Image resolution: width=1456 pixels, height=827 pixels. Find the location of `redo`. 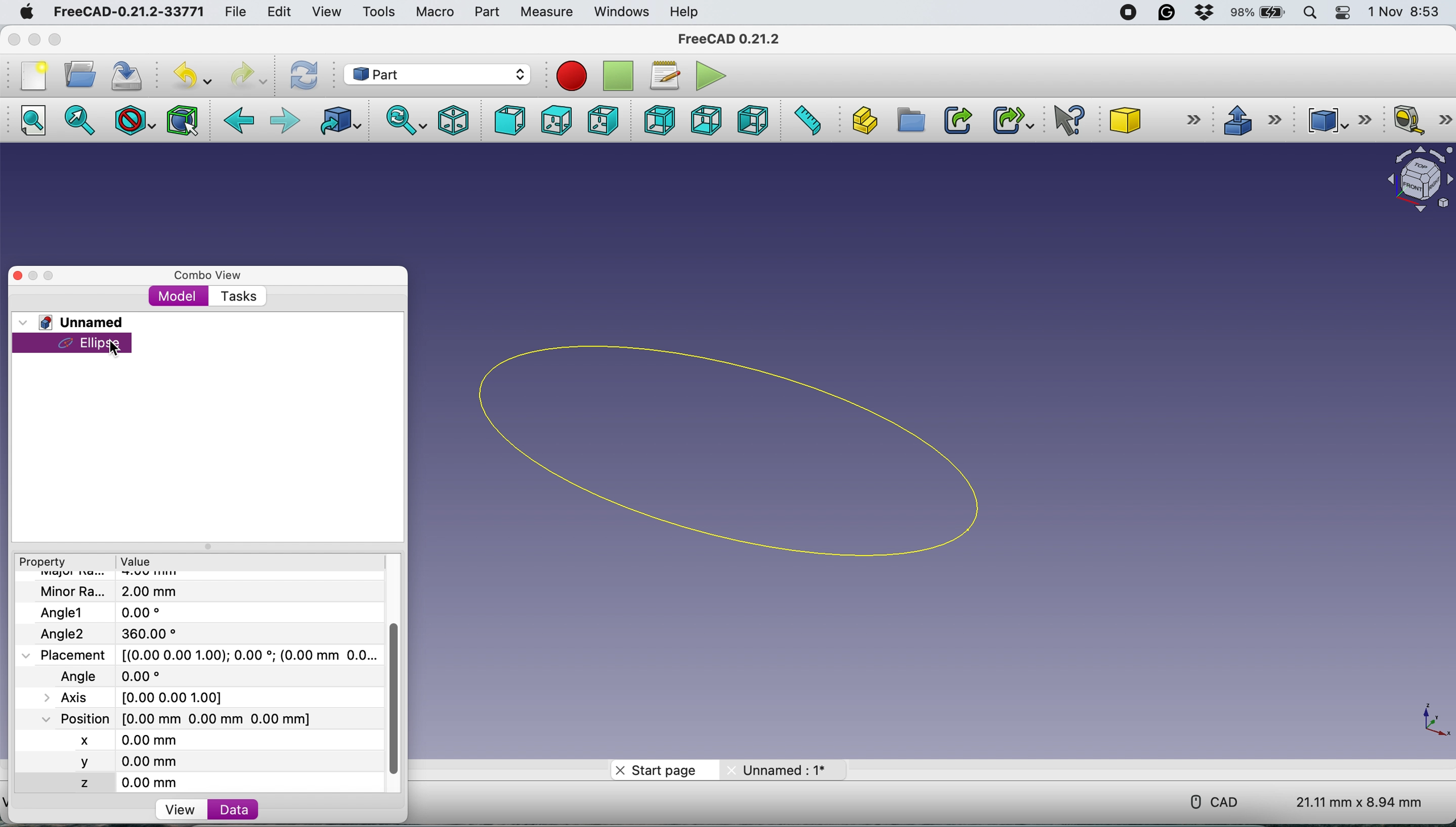

redo is located at coordinates (251, 74).